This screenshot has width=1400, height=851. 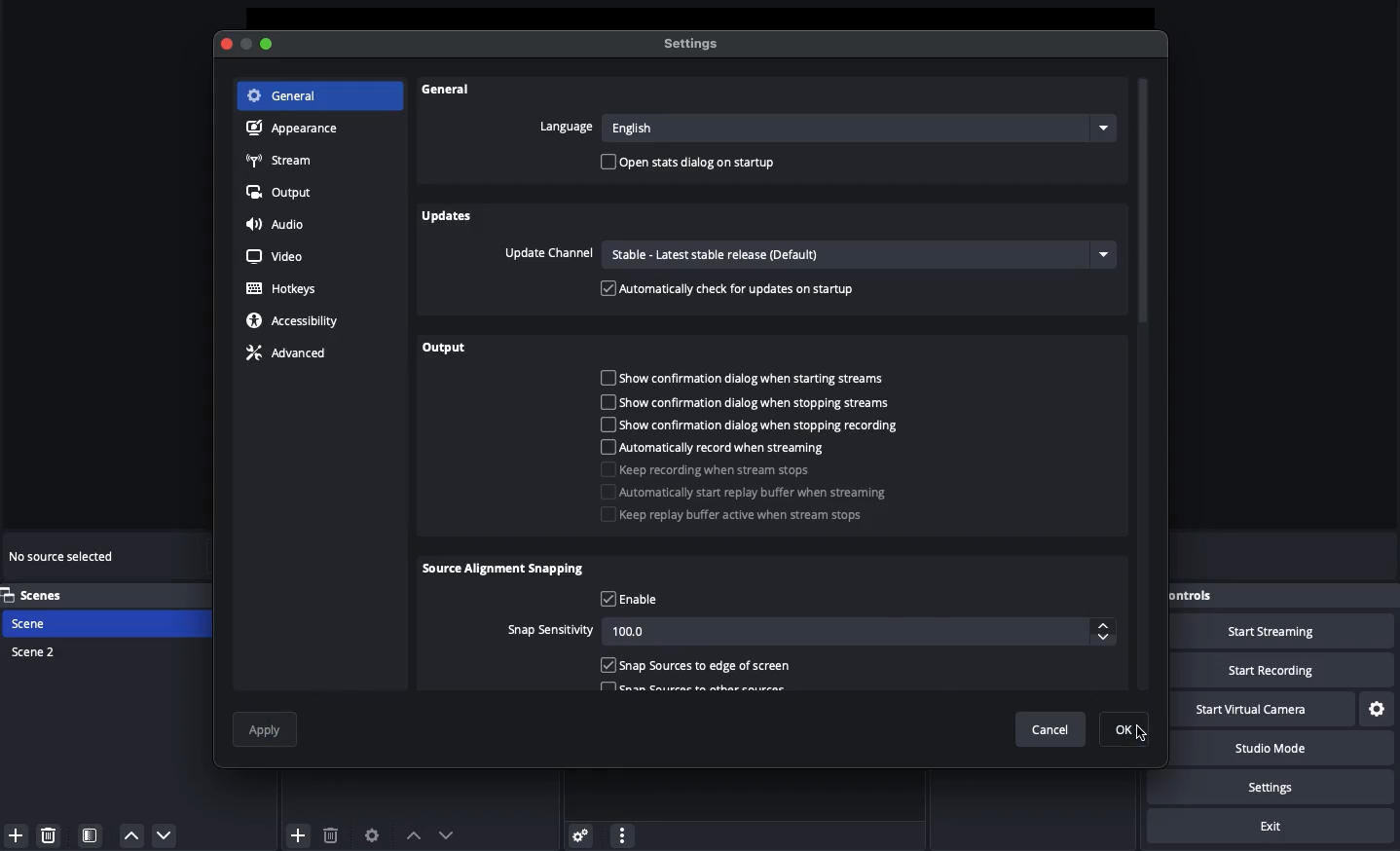 I want to click on No sources selected, so click(x=68, y=556).